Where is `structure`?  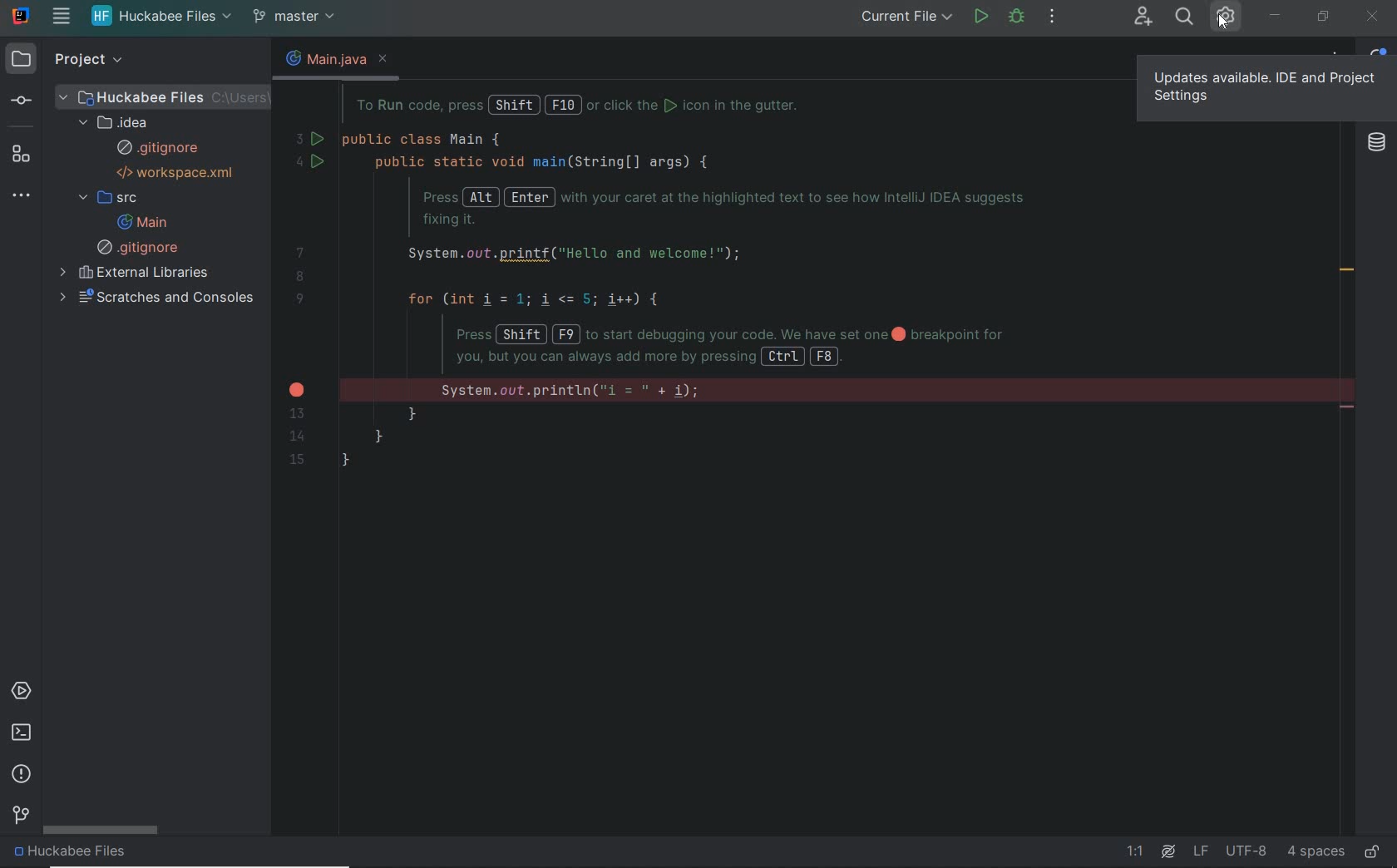
structure is located at coordinates (27, 154).